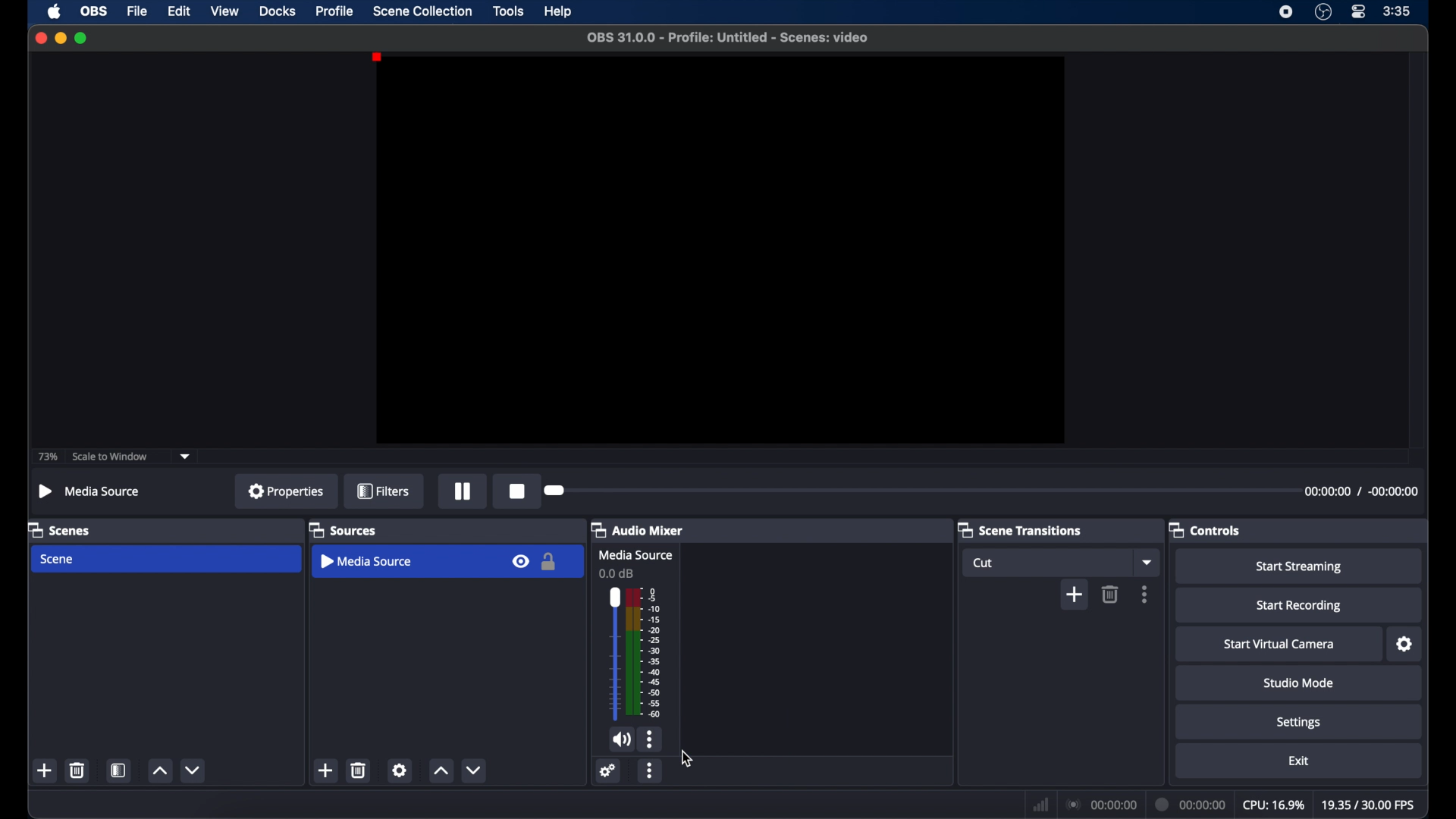  I want to click on no source selected, so click(90, 492).